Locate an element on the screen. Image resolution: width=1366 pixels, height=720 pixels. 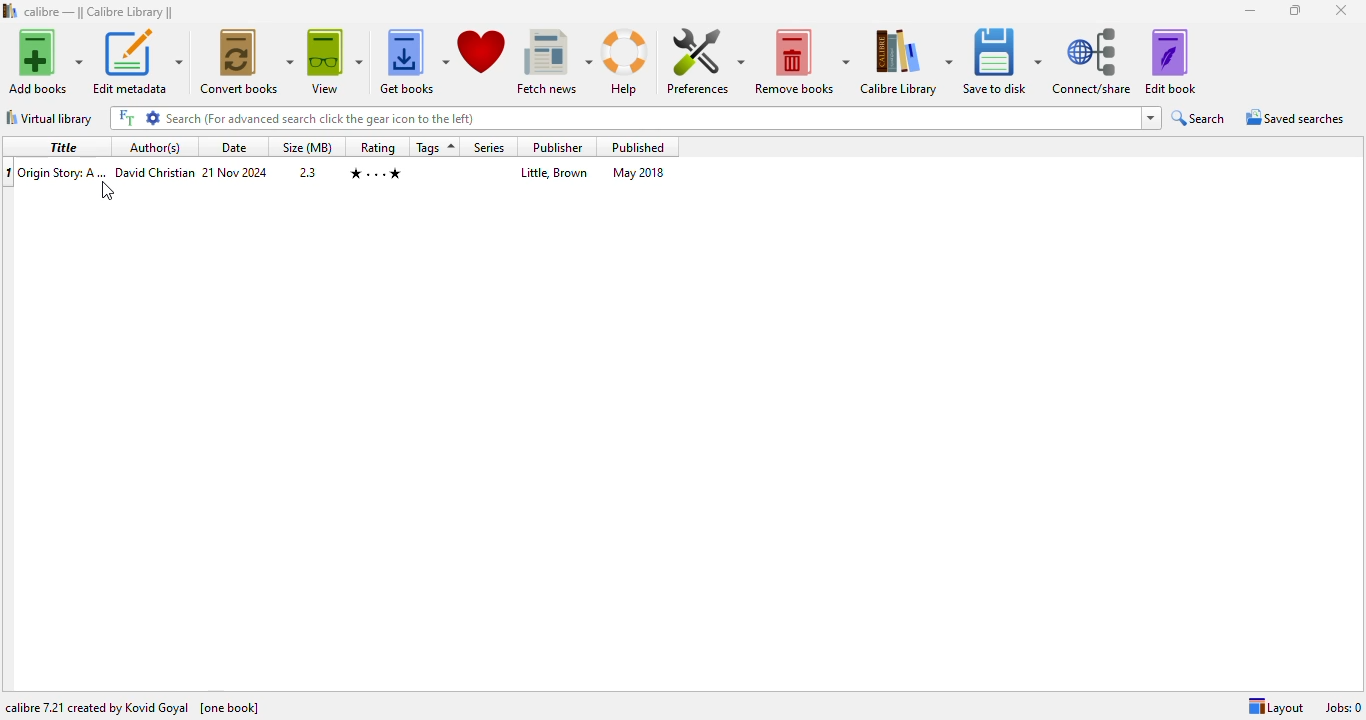
edit book is located at coordinates (1171, 60).